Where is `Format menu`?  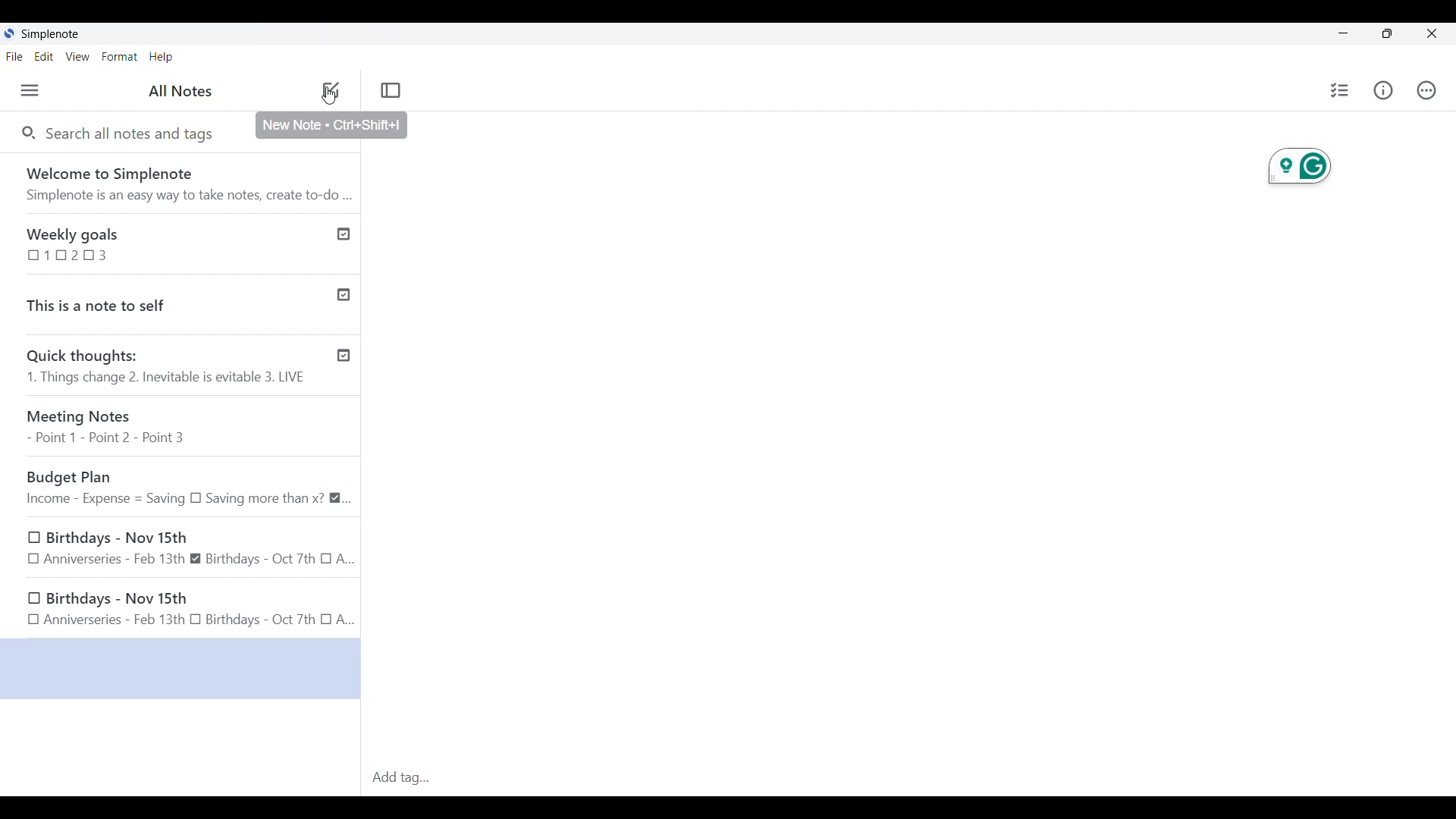 Format menu is located at coordinates (119, 57).